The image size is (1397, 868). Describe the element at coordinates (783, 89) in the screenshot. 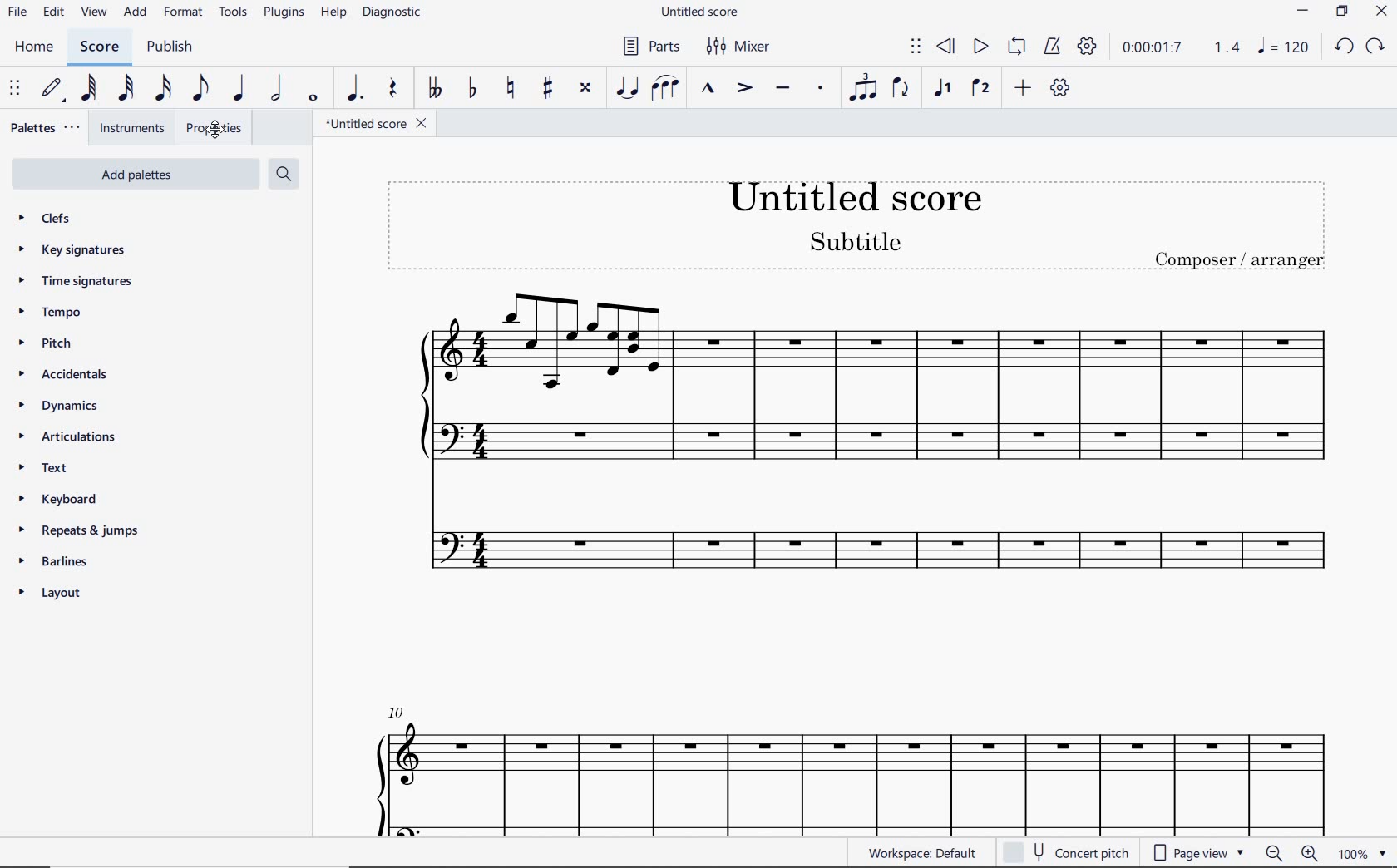

I see `TENUTO` at that location.